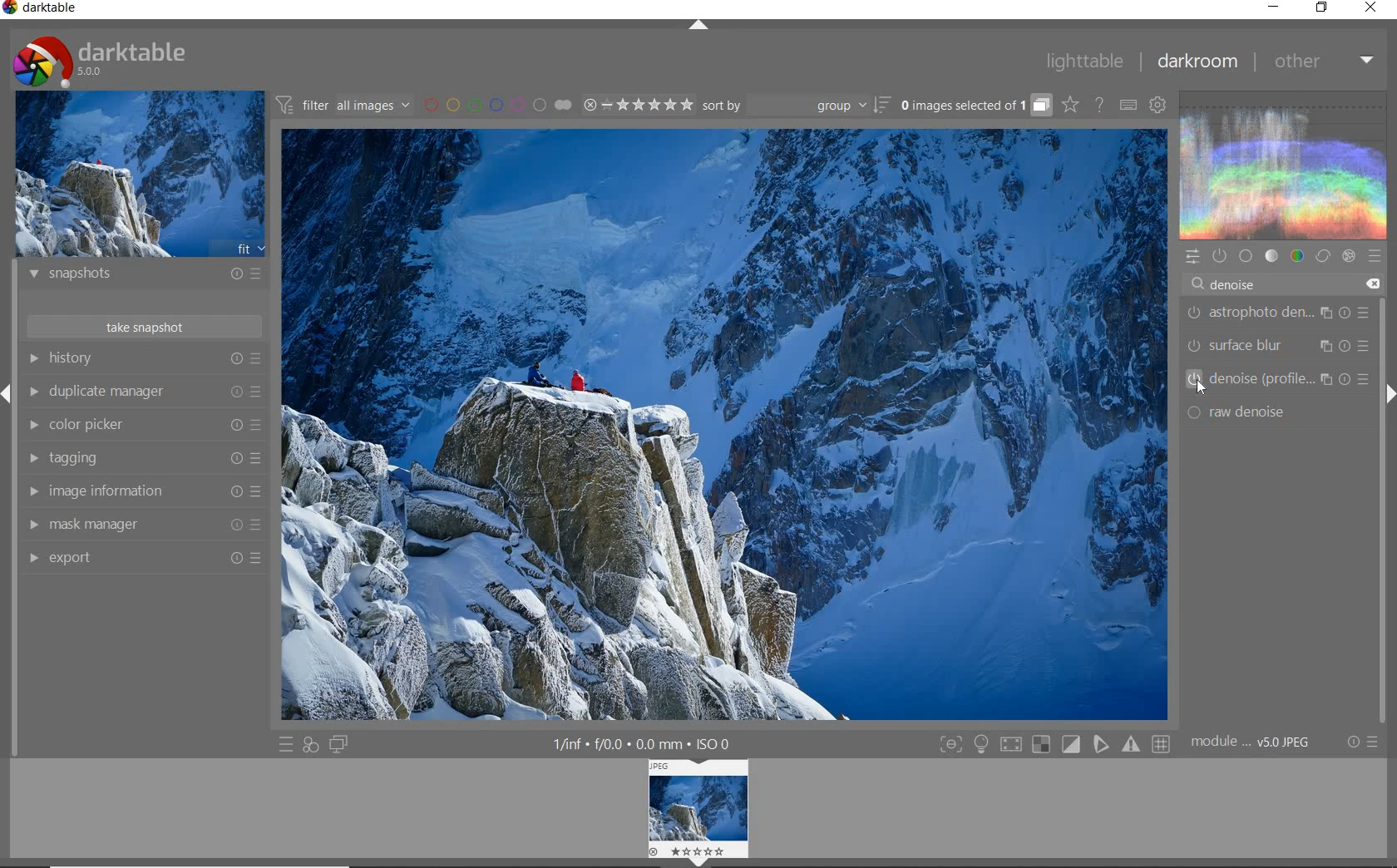 The image size is (1397, 868). I want to click on take snapshot, so click(147, 326).